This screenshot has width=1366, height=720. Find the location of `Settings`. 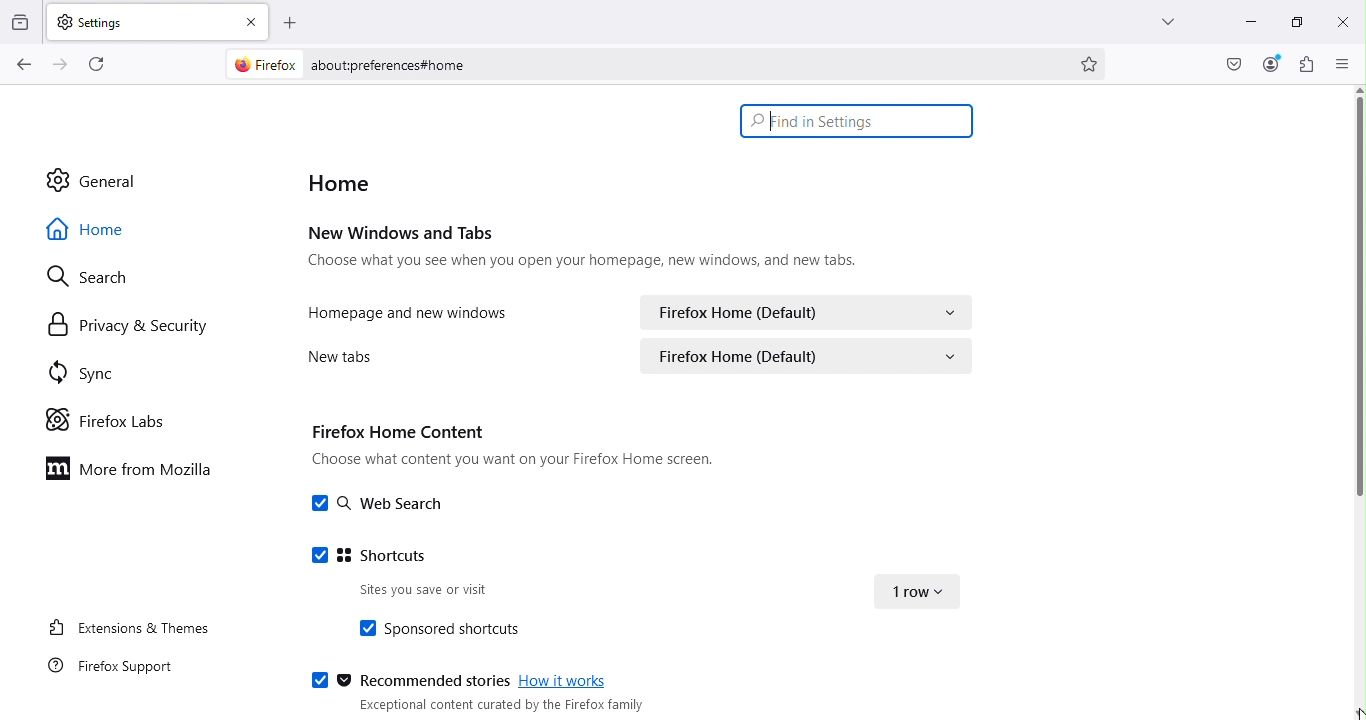

Settings is located at coordinates (138, 20).